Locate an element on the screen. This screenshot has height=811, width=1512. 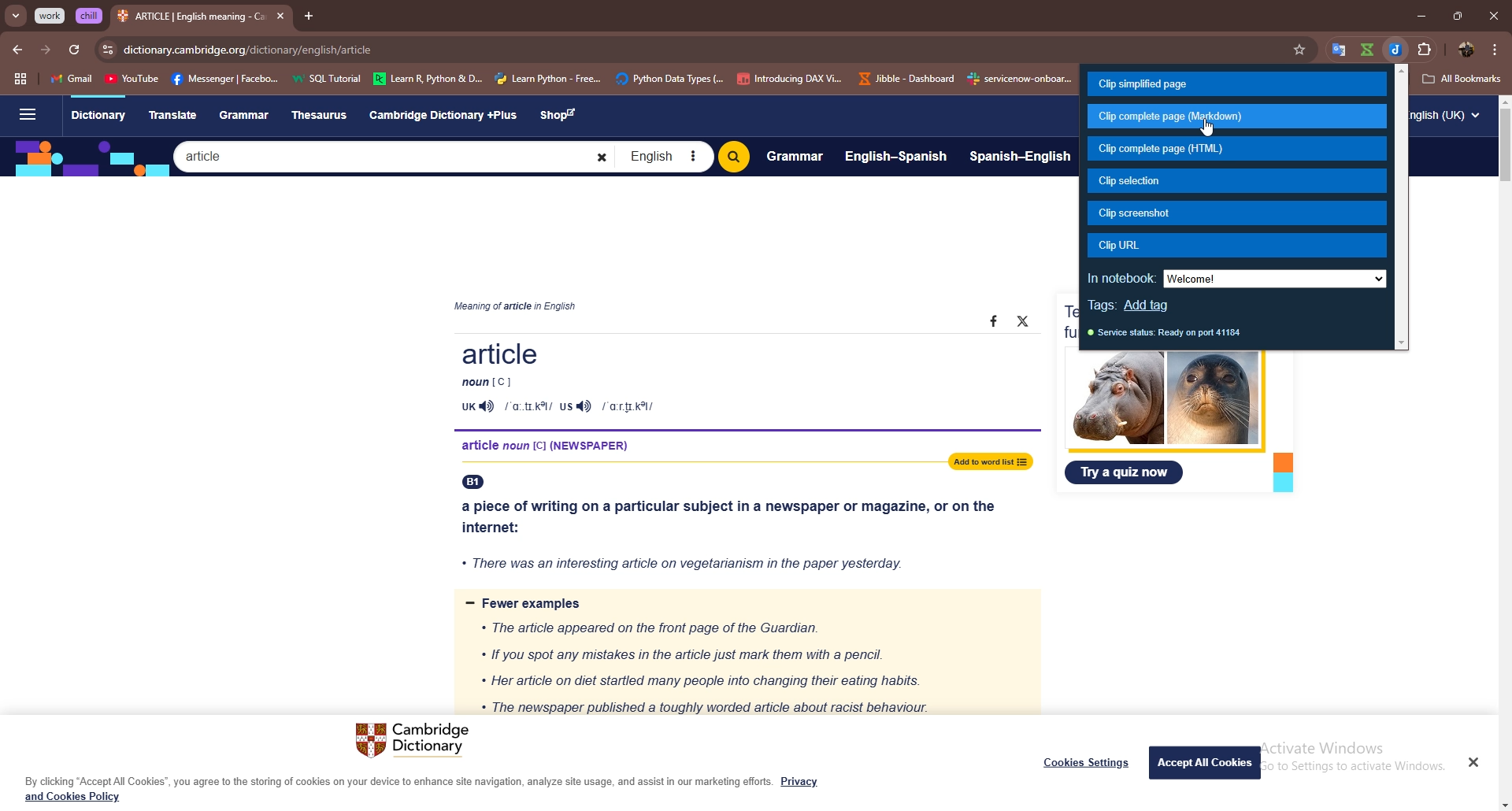
scroll up is located at coordinates (1503, 101).